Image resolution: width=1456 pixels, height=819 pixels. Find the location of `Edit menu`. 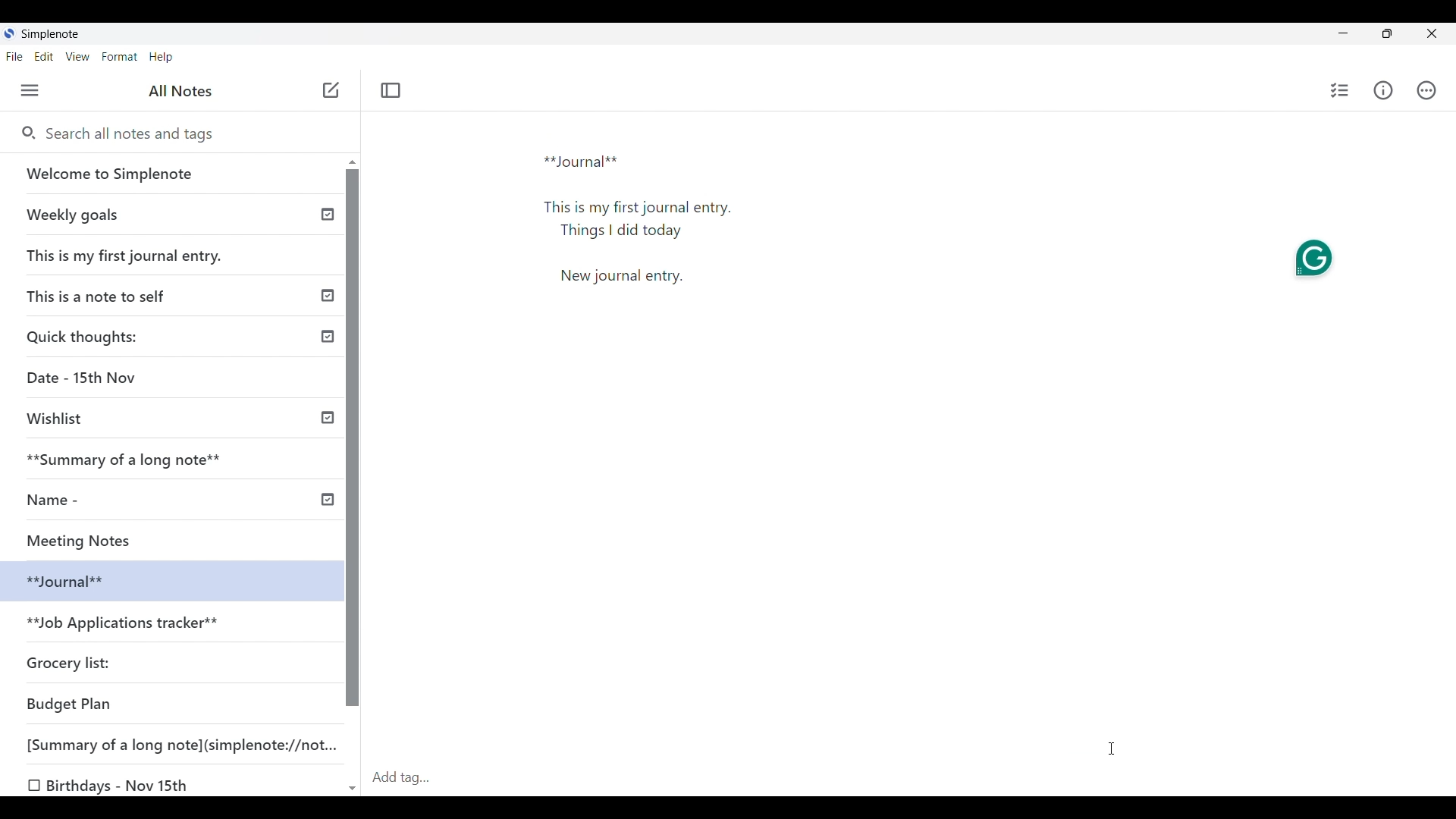

Edit menu is located at coordinates (44, 57).